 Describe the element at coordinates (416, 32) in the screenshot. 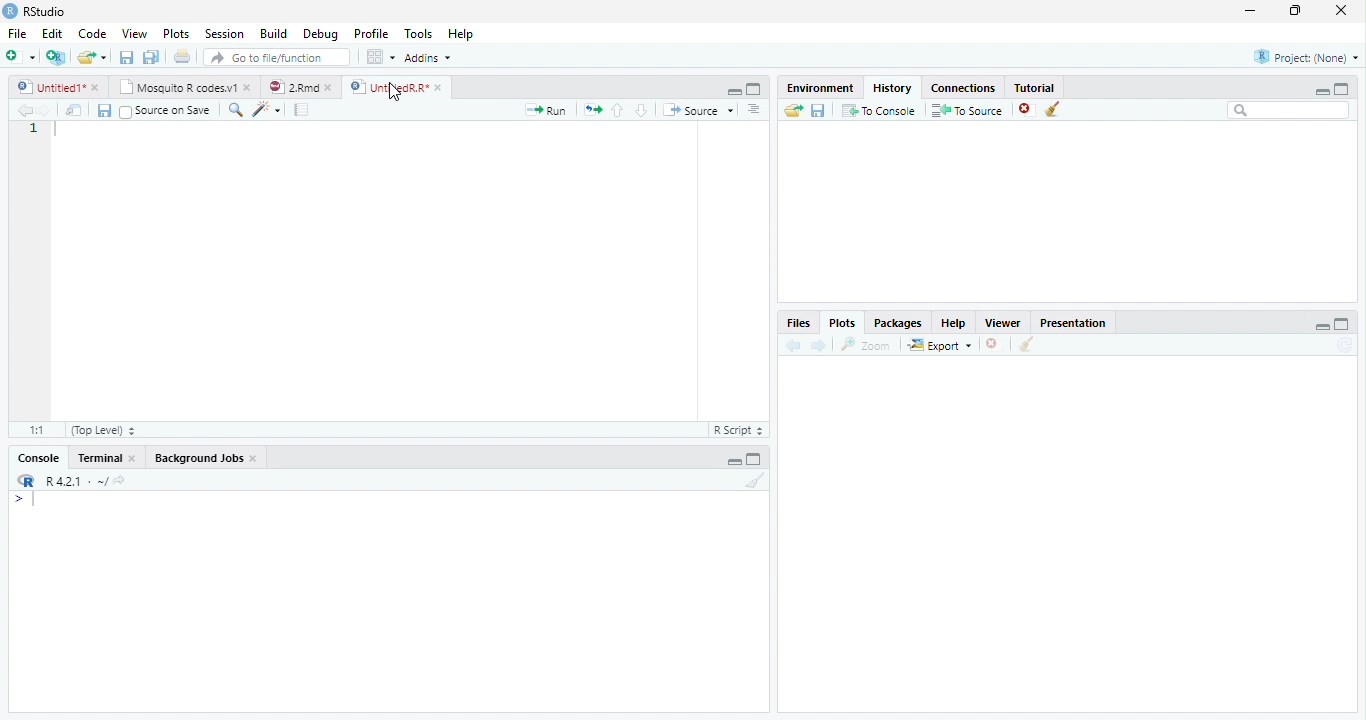

I see `Tools` at that location.